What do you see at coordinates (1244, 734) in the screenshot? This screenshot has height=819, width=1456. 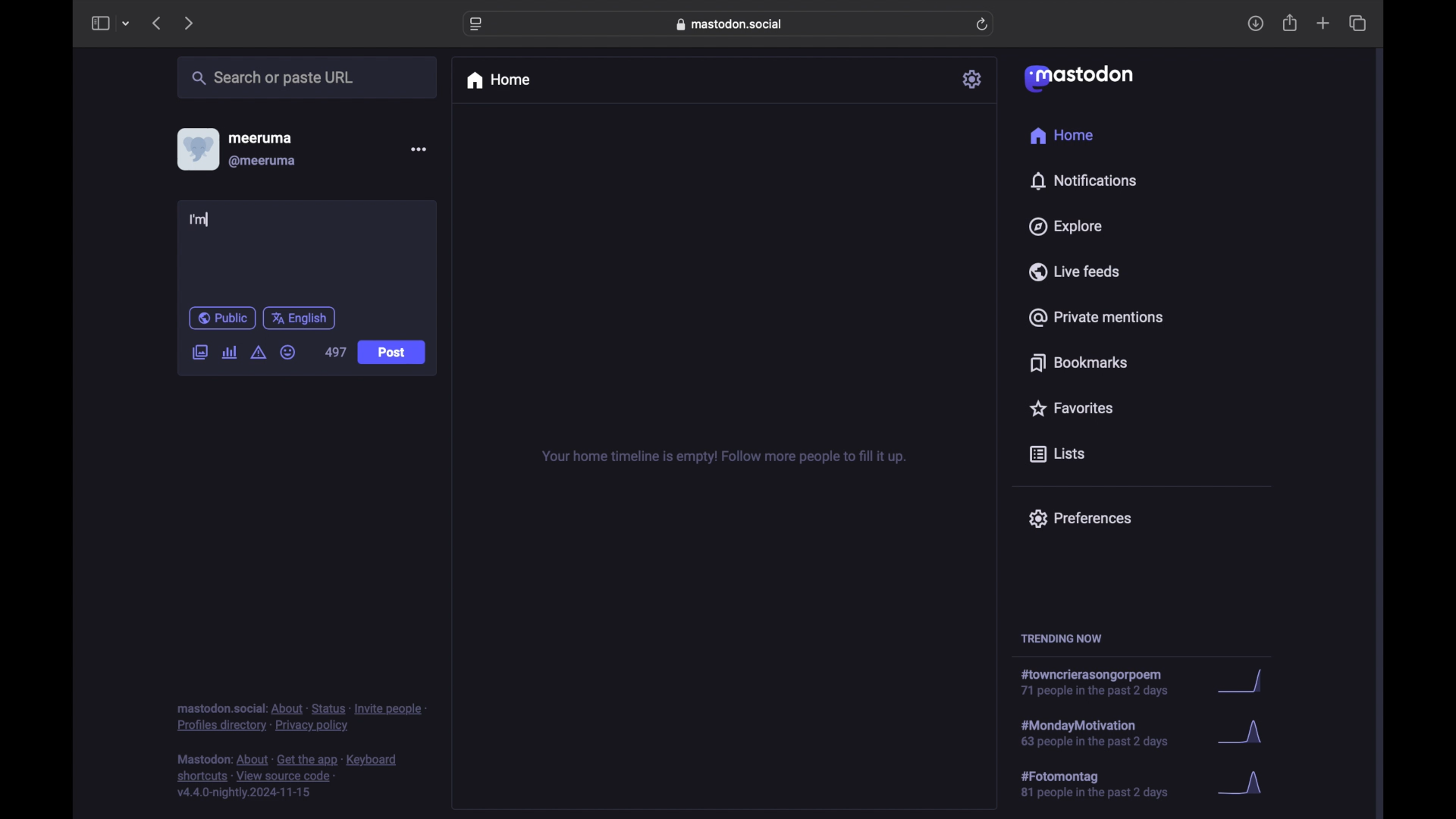 I see `graph` at bounding box center [1244, 734].